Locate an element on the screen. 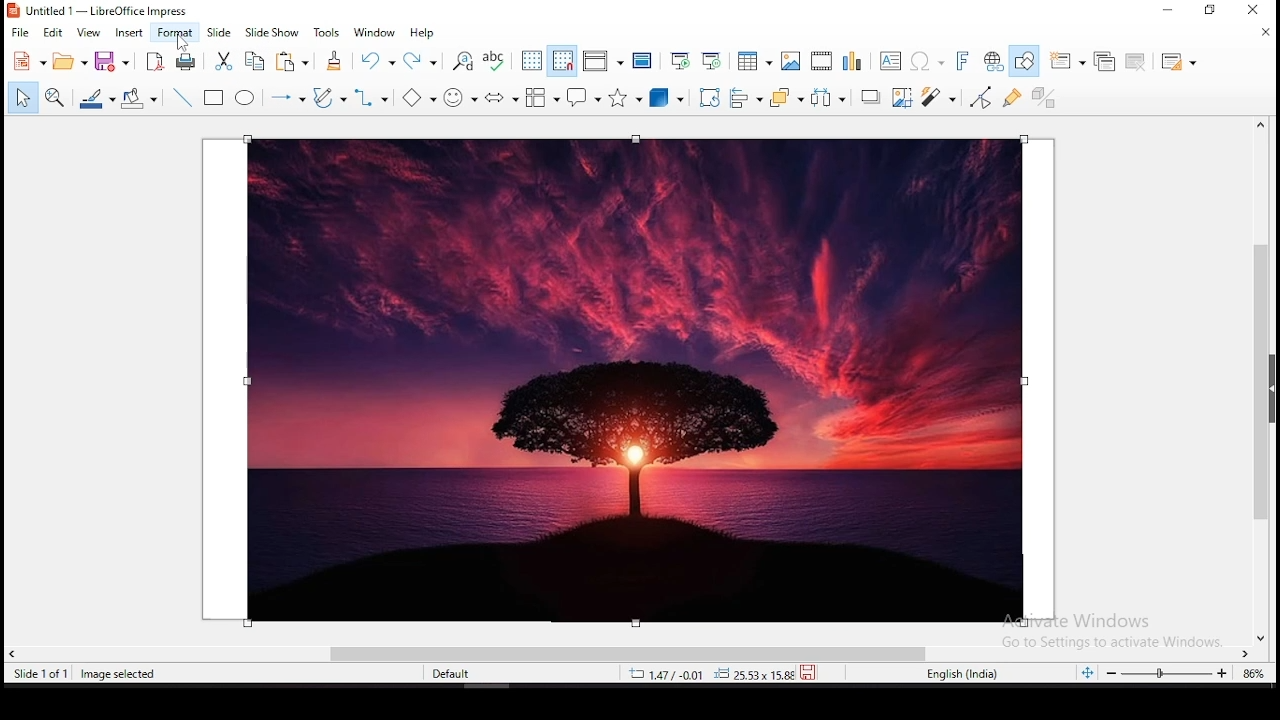  toggle extrusion is located at coordinates (1045, 95).